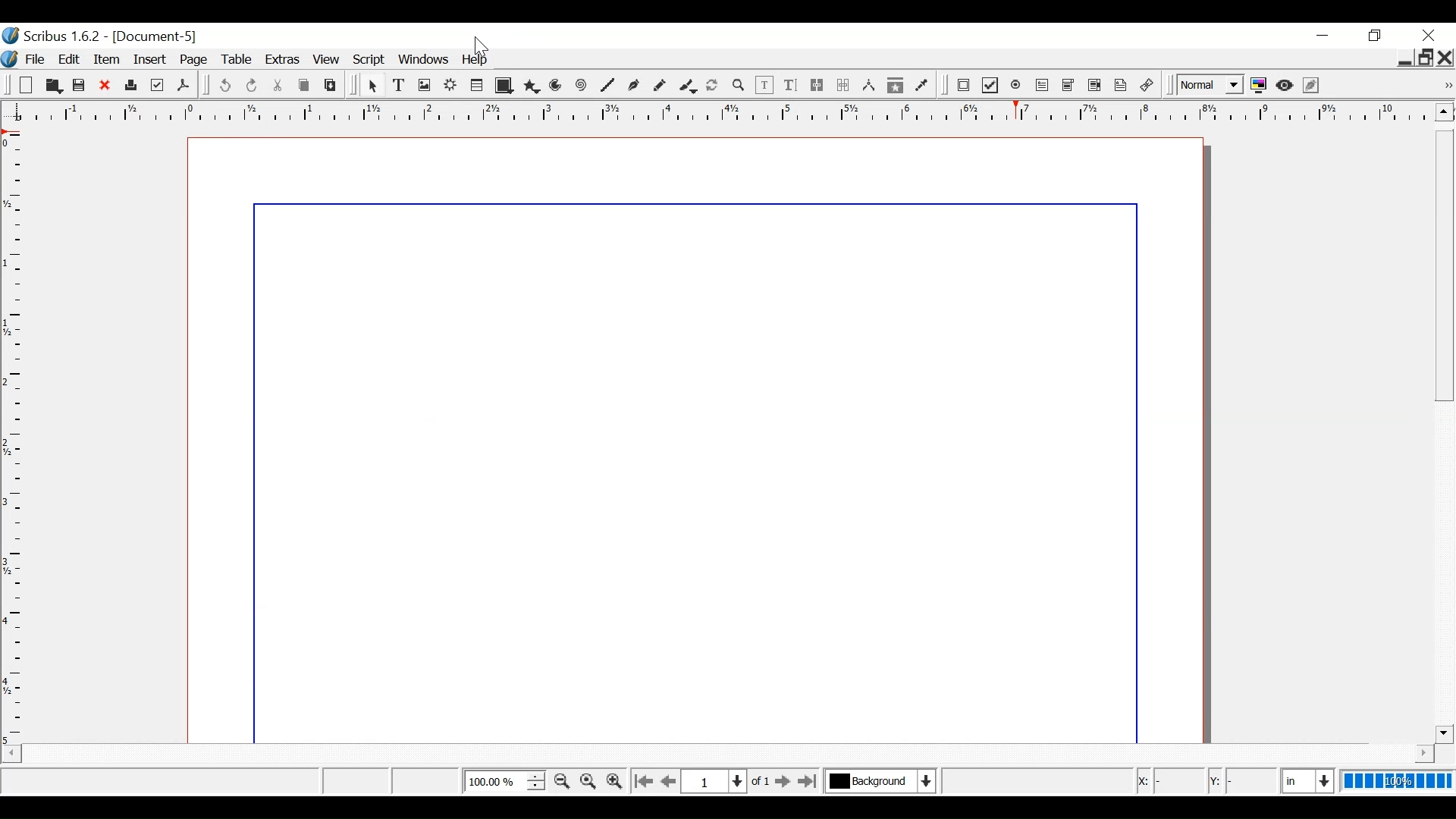 The width and height of the screenshot is (1456, 819). I want to click on PDF List Box , so click(1095, 86).